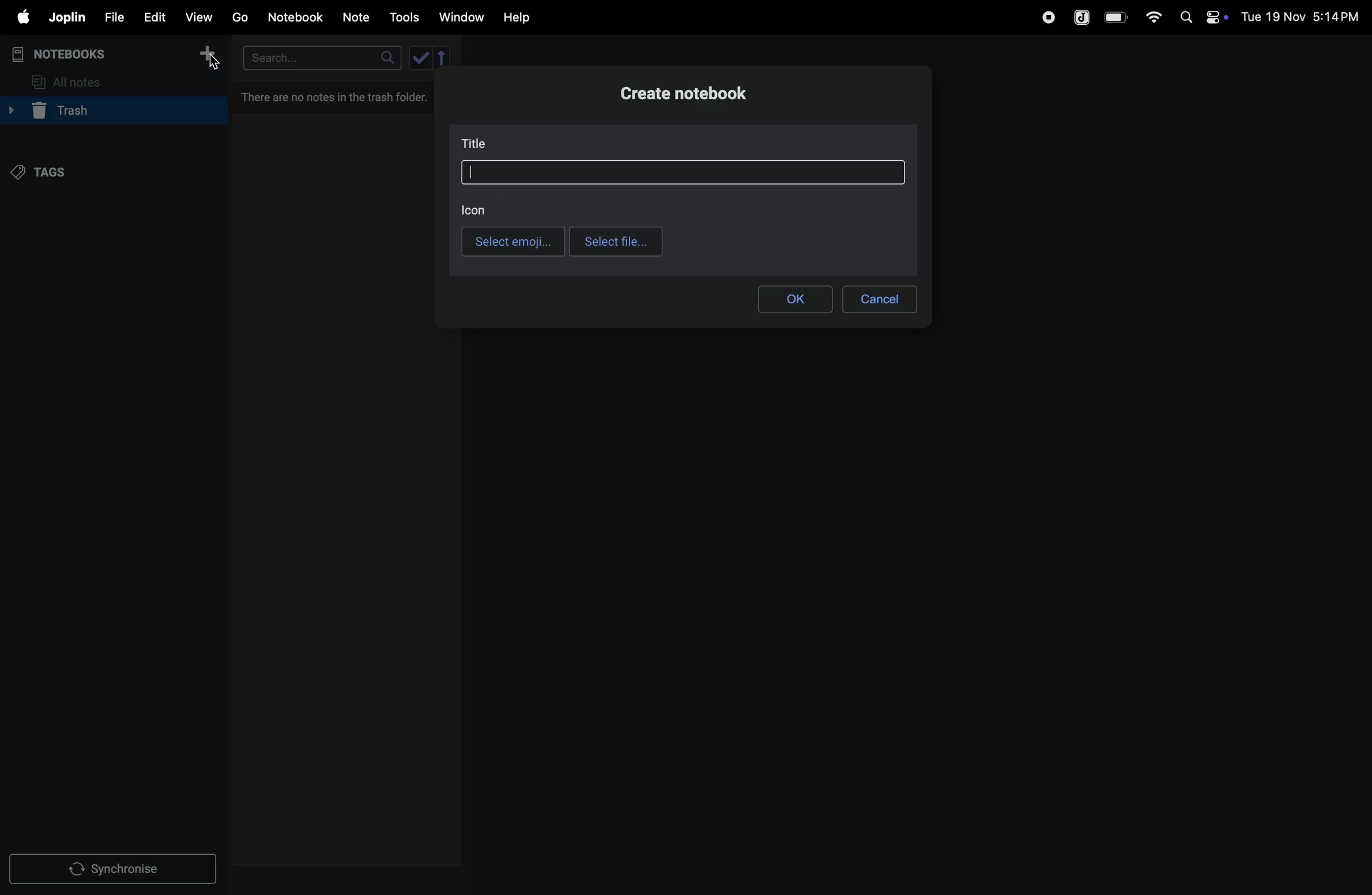 The image size is (1372, 895). I want to click on tags, so click(45, 174).